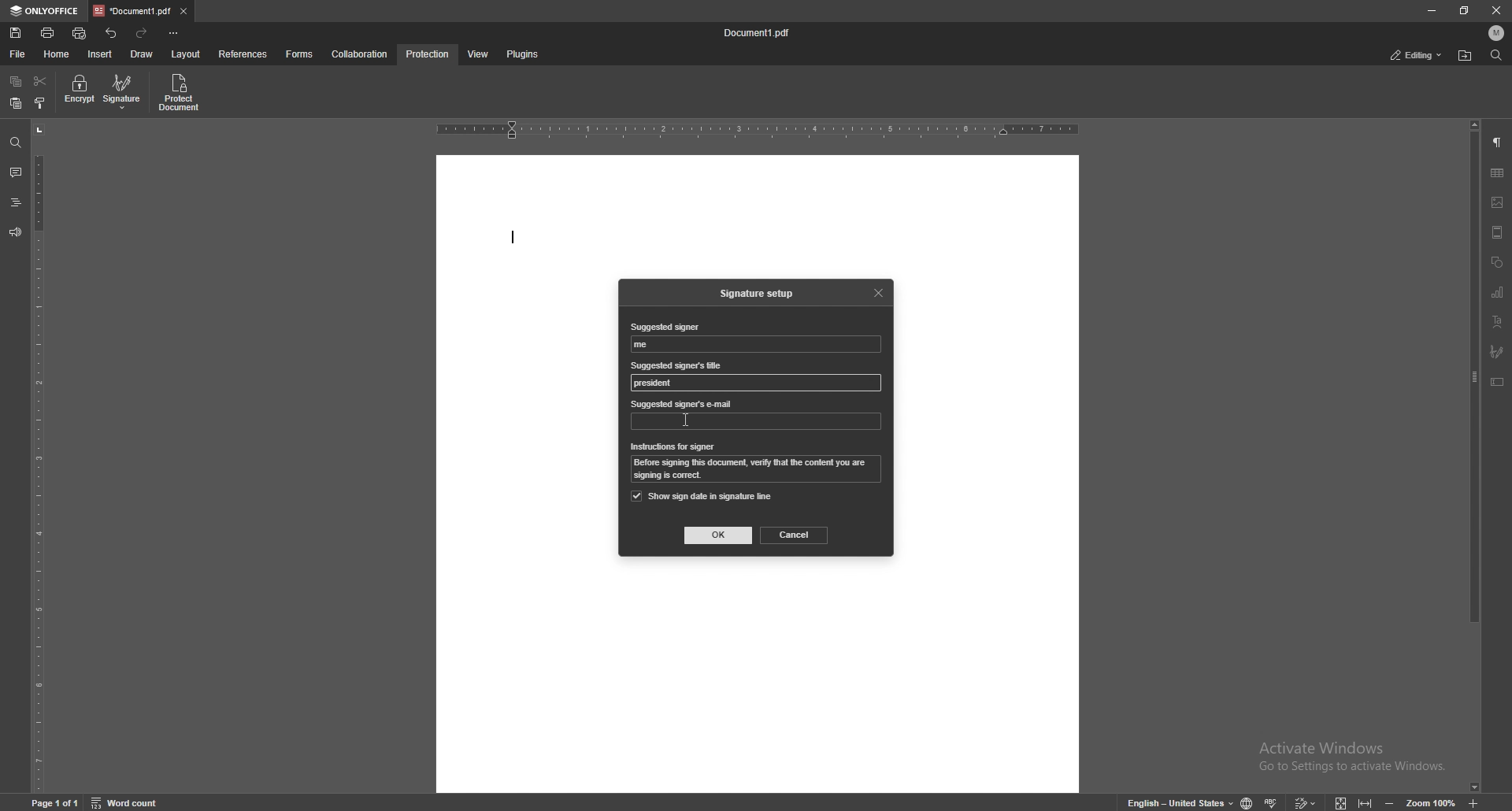 The height and width of the screenshot is (811, 1512). I want to click on file, so click(19, 54).